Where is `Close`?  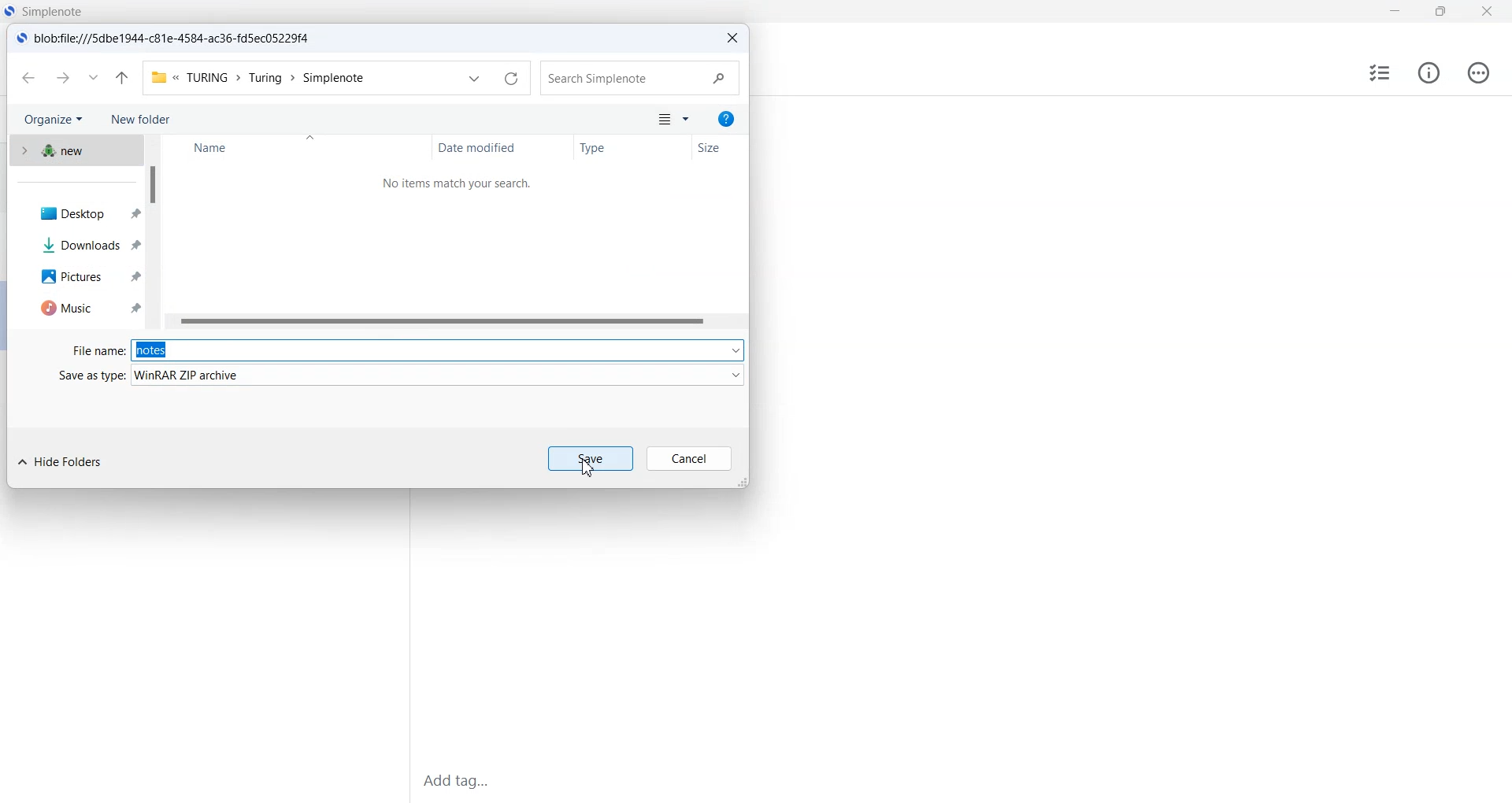 Close is located at coordinates (1486, 11).